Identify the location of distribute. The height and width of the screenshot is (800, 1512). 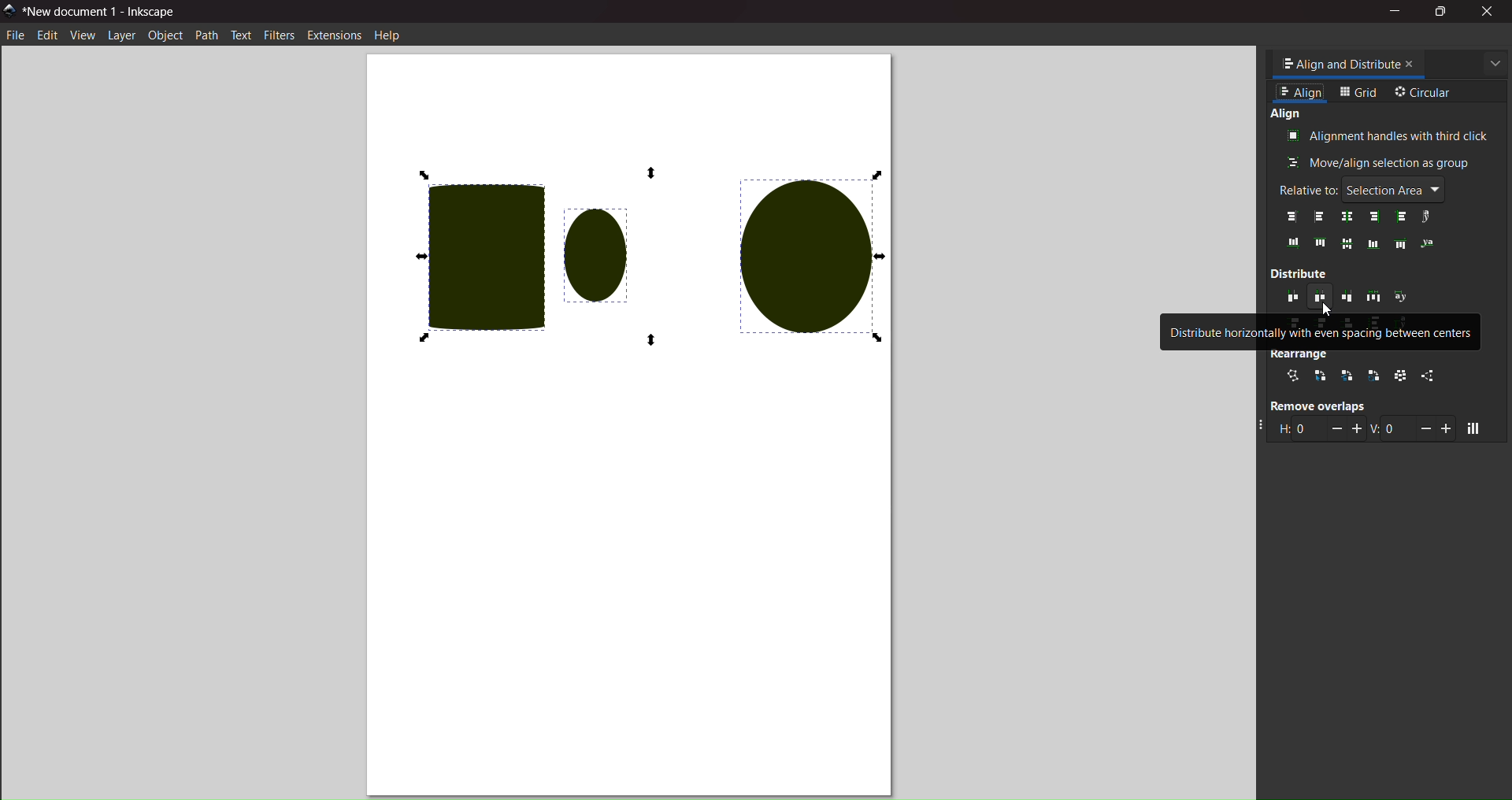
(1299, 274).